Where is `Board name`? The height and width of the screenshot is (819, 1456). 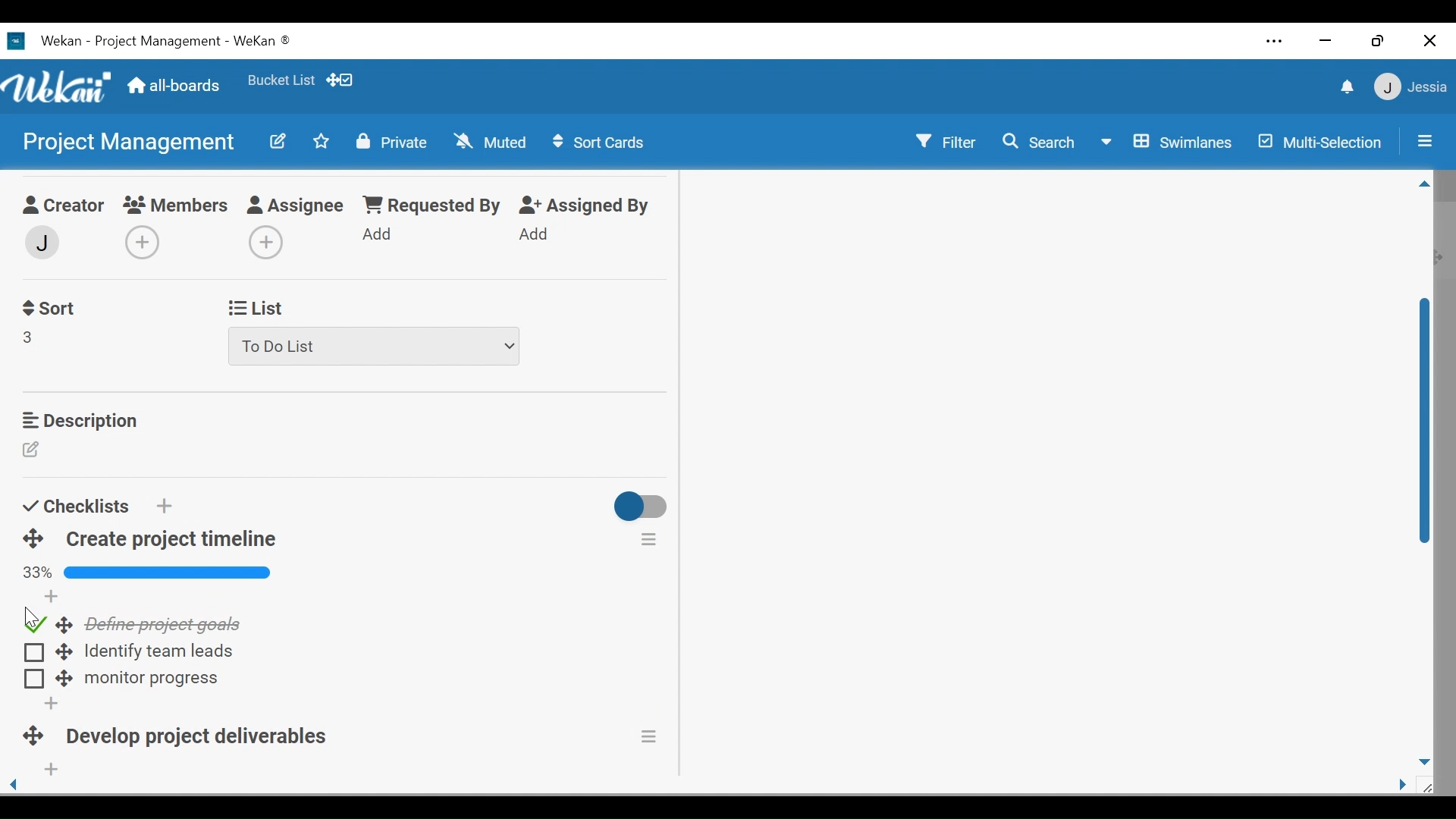 Board name is located at coordinates (127, 141).